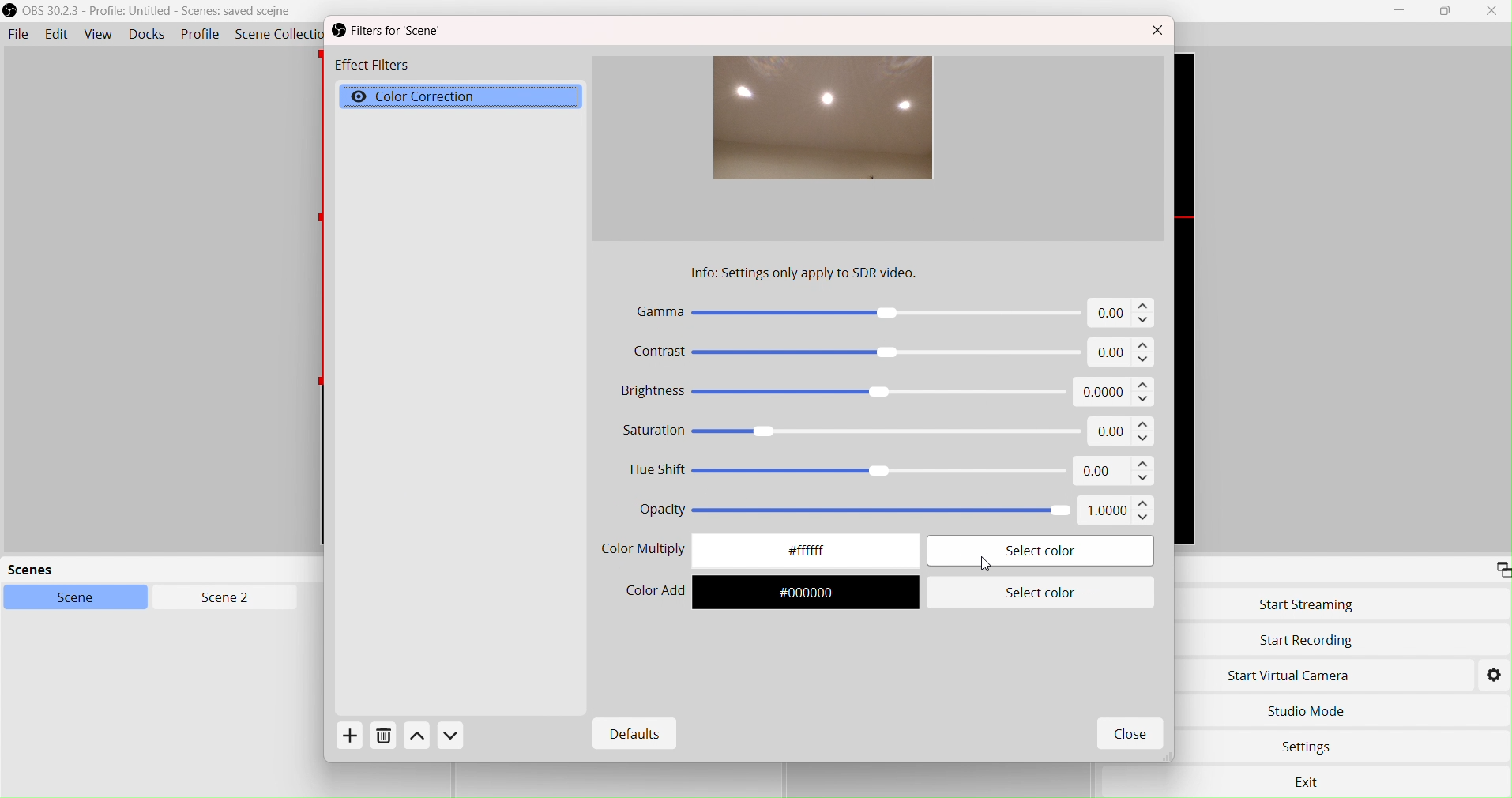  Describe the element at coordinates (56, 35) in the screenshot. I see `Edit` at that location.